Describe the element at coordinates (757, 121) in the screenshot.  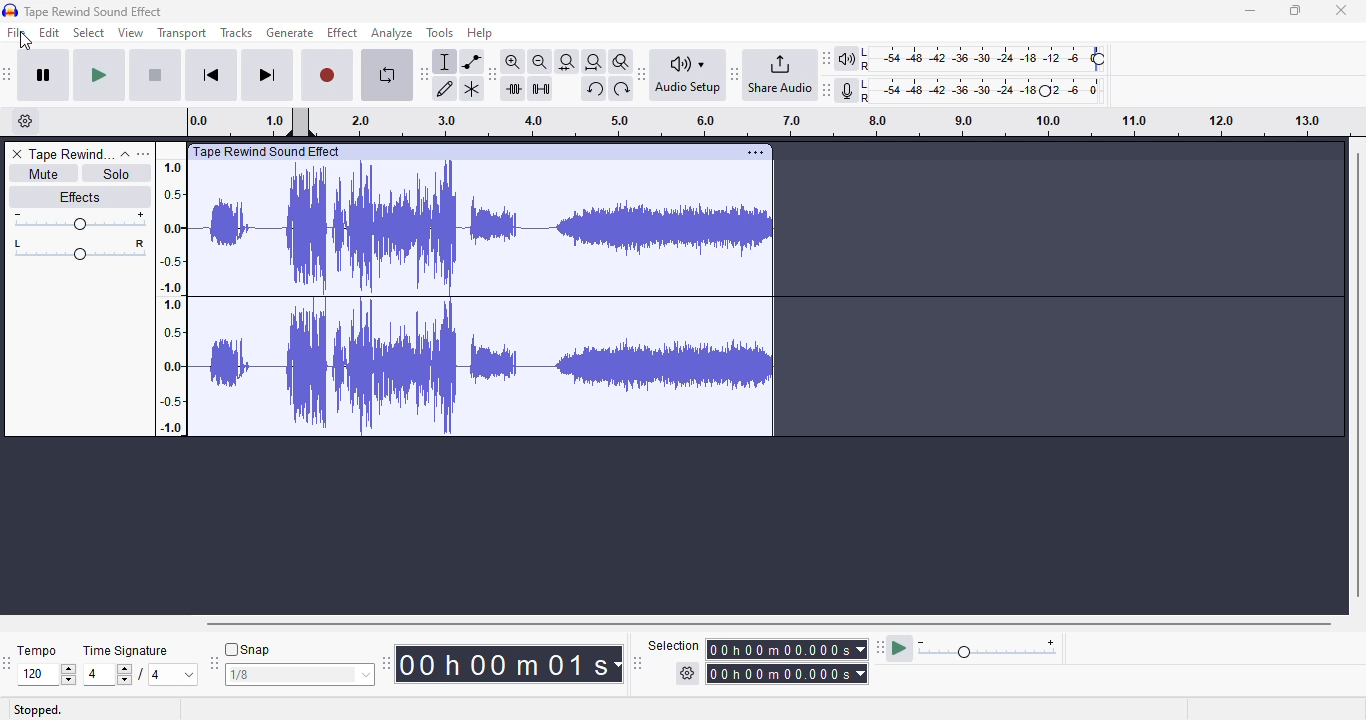
I see `timestamps` at that location.